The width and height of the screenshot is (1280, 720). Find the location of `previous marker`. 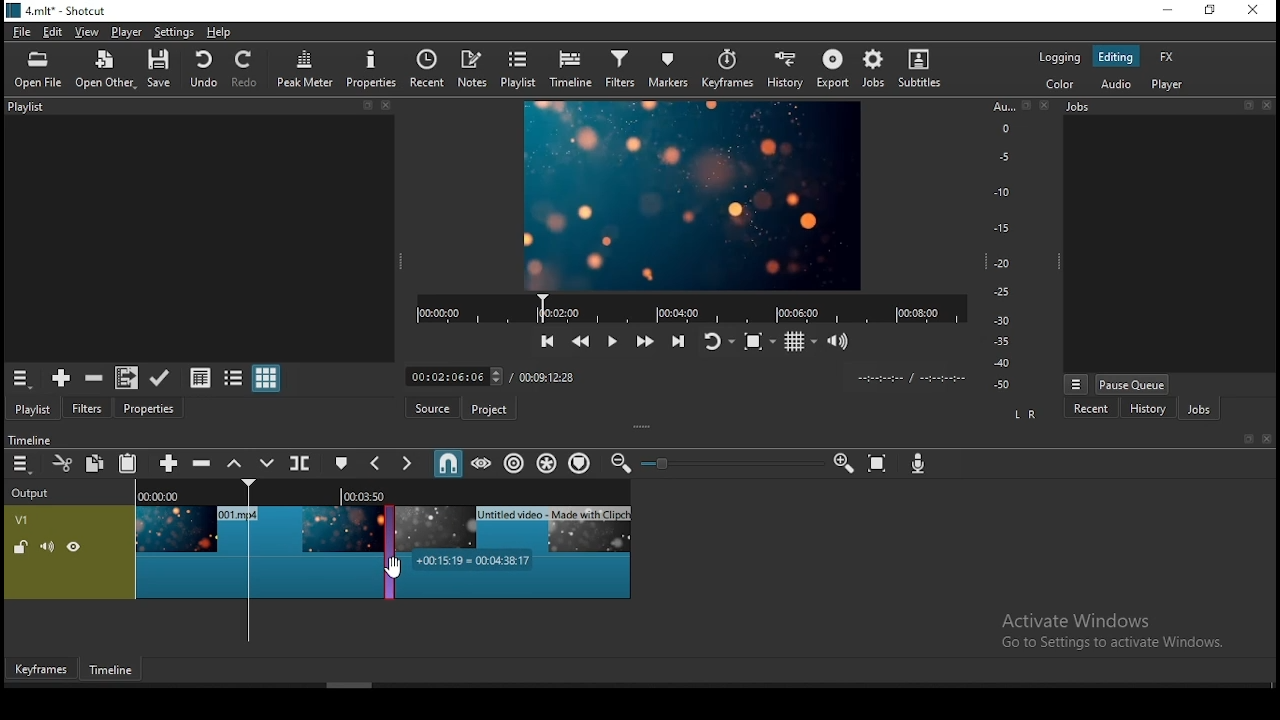

previous marker is located at coordinates (375, 464).